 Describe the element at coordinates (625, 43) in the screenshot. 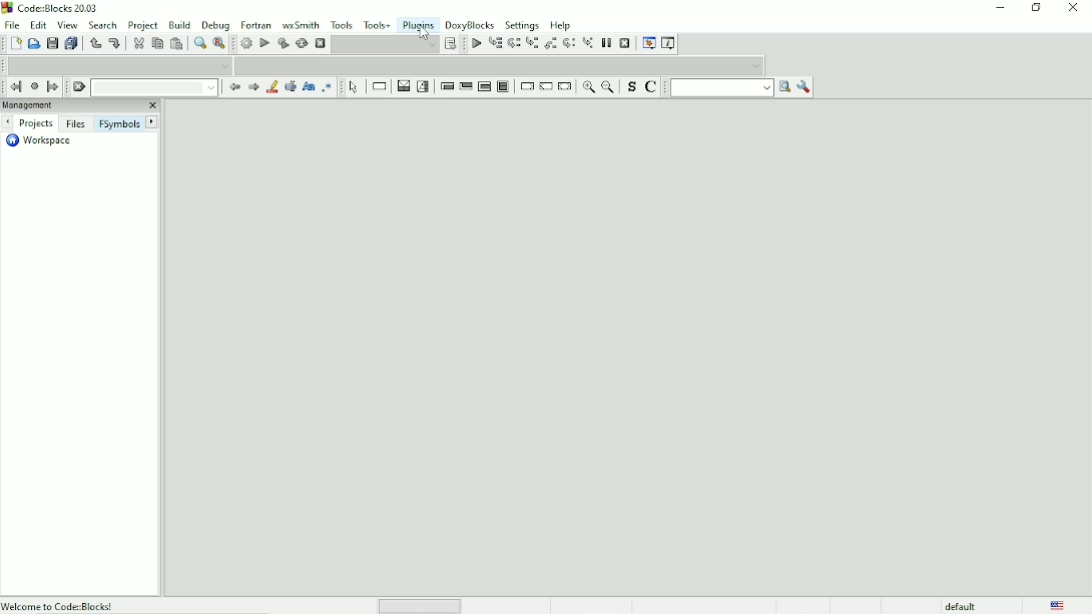

I see `Stop debugger` at that location.